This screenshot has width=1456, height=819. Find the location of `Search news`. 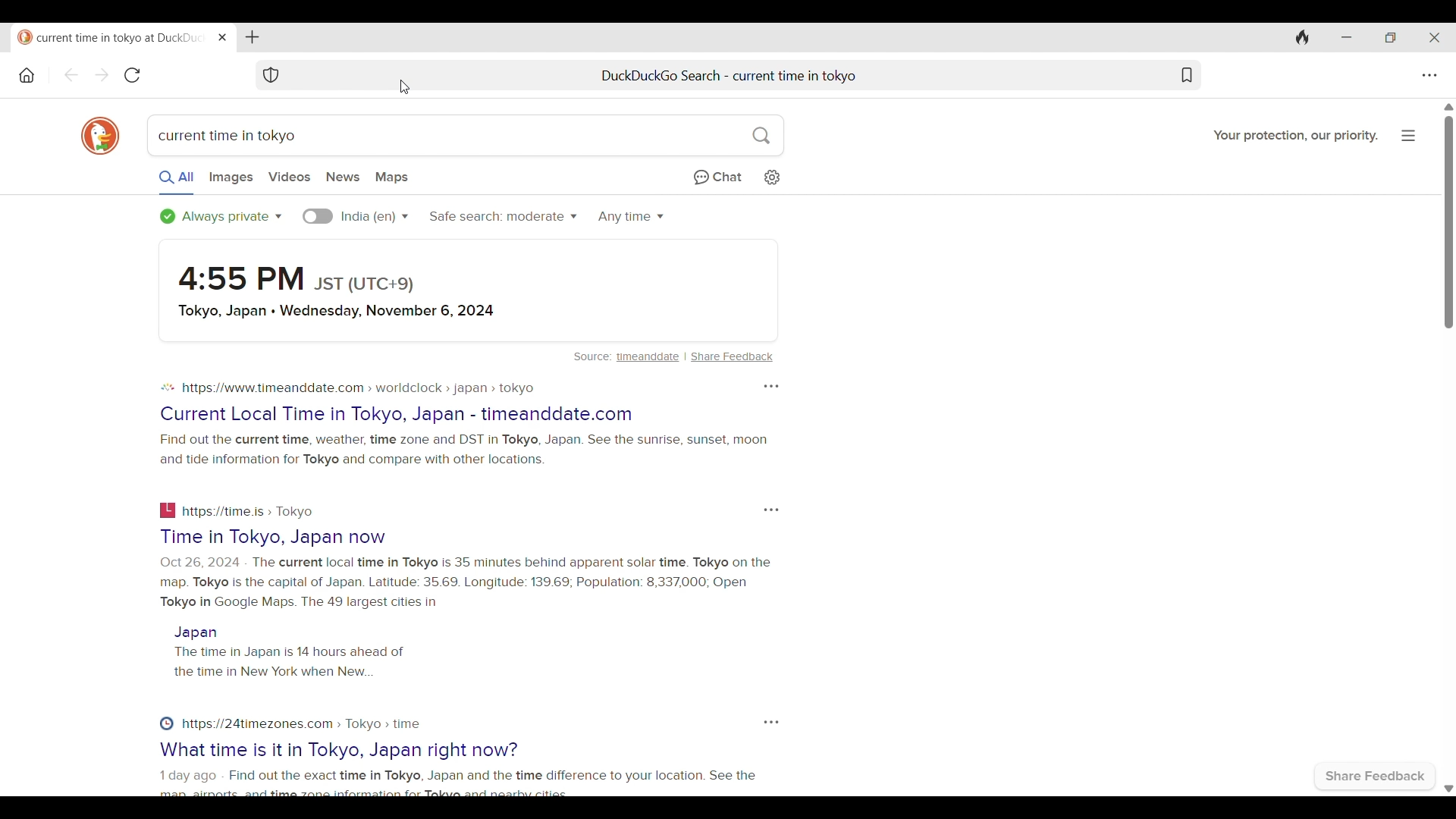

Search news is located at coordinates (343, 177).